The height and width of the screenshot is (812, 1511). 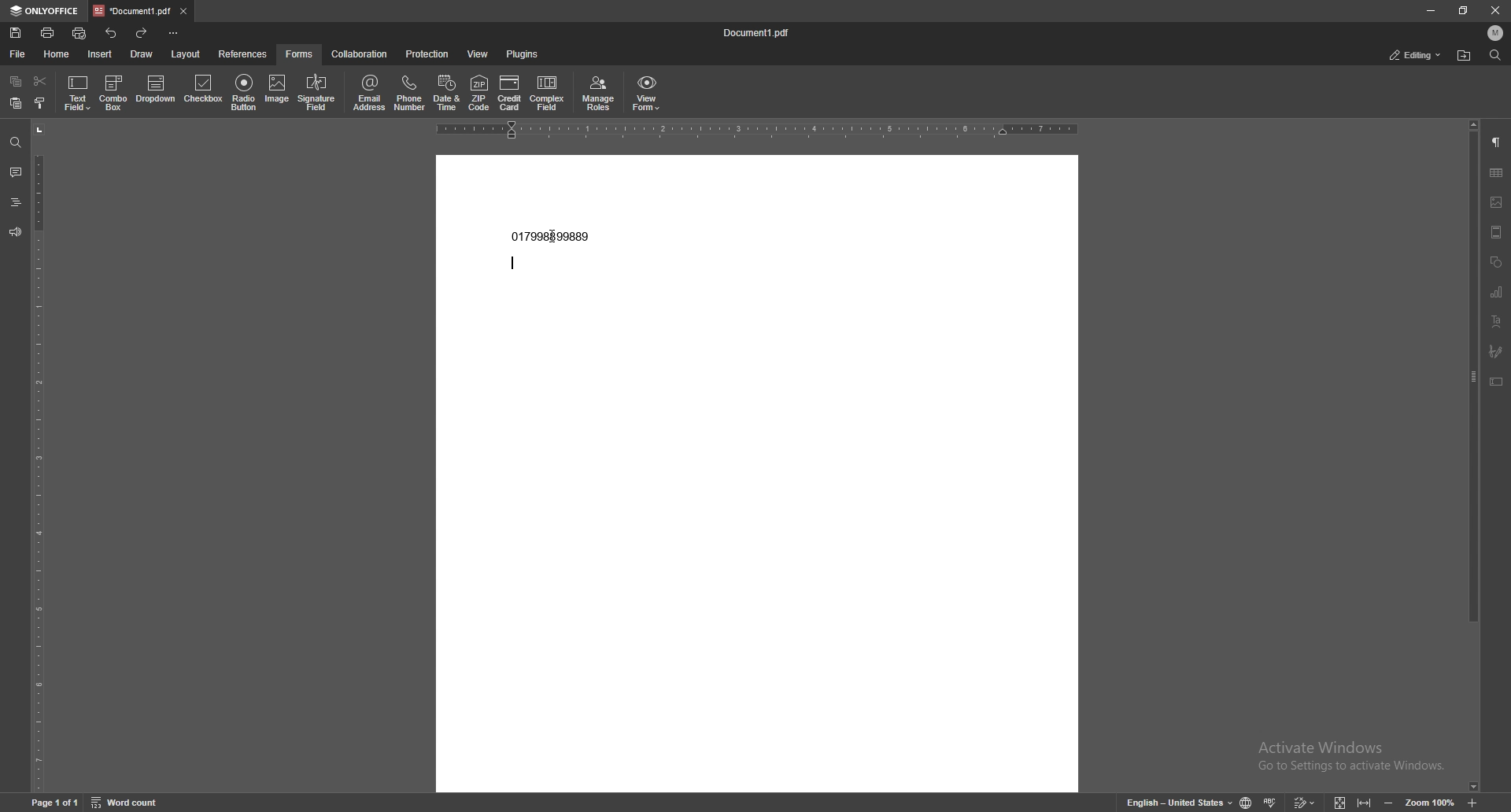 What do you see at coordinates (15, 233) in the screenshot?
I see `feedback` at bounding box center [15, 233].